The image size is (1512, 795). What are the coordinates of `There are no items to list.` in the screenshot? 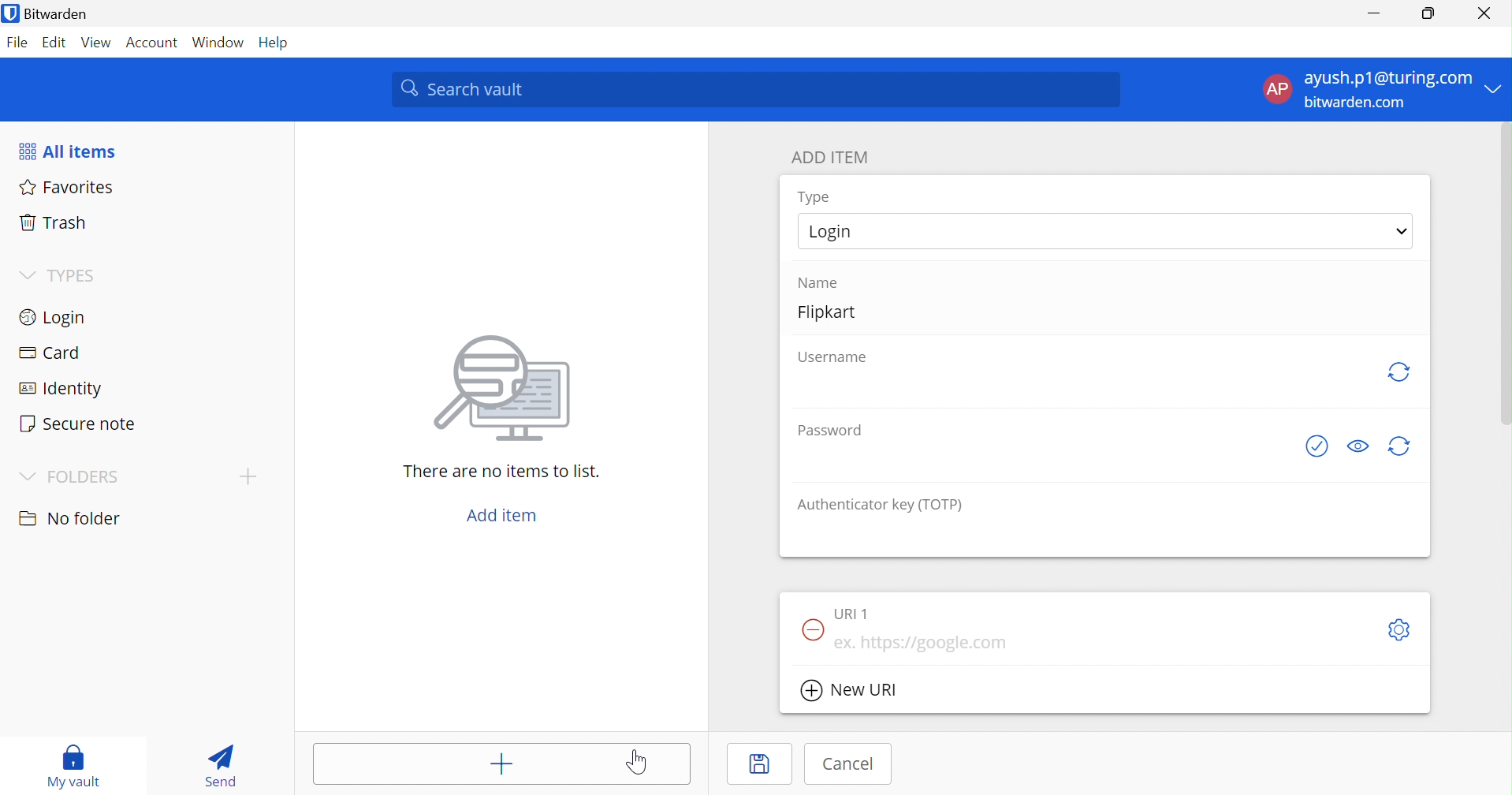 It's located at (503, 473).